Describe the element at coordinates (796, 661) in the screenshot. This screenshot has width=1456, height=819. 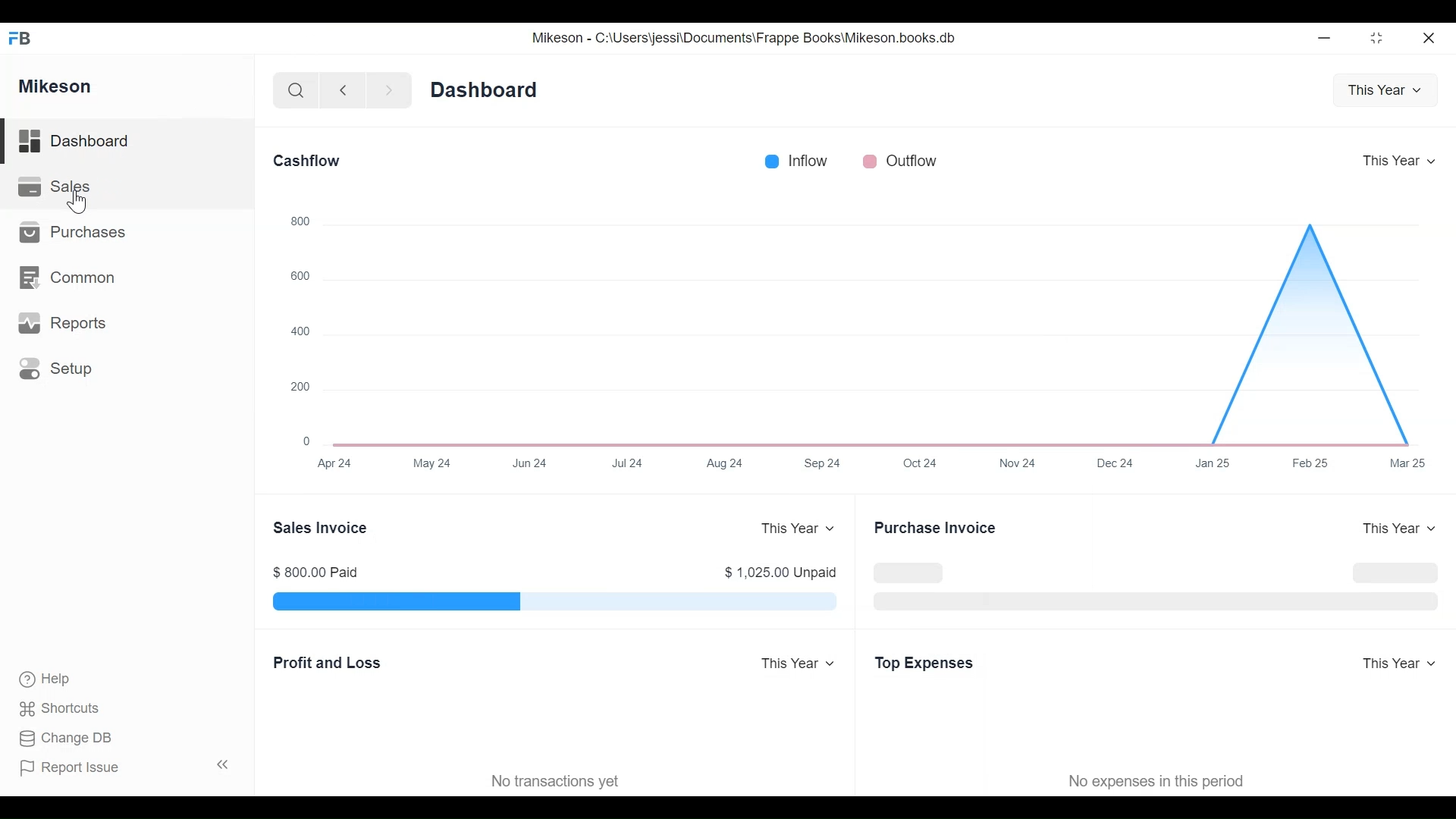
I see `This year` at that location.